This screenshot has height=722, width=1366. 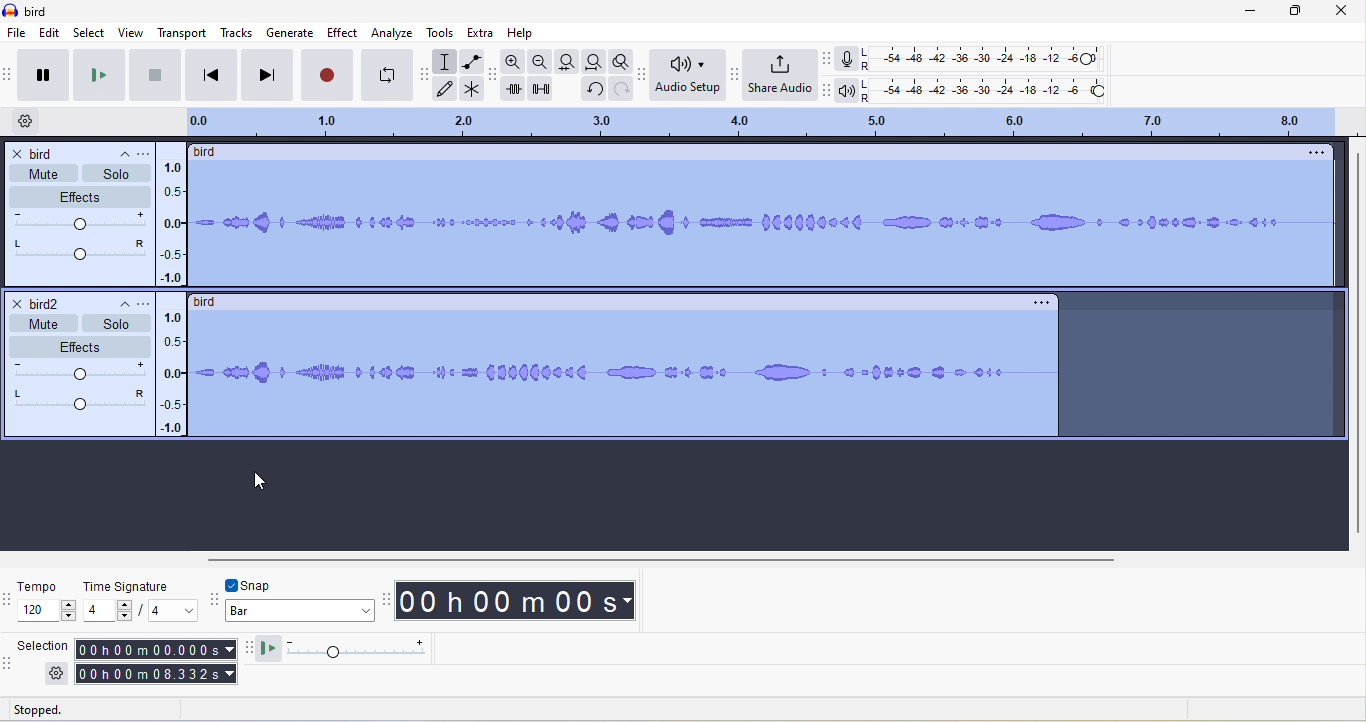 I want to click on snap, so click(x=256, y=585).